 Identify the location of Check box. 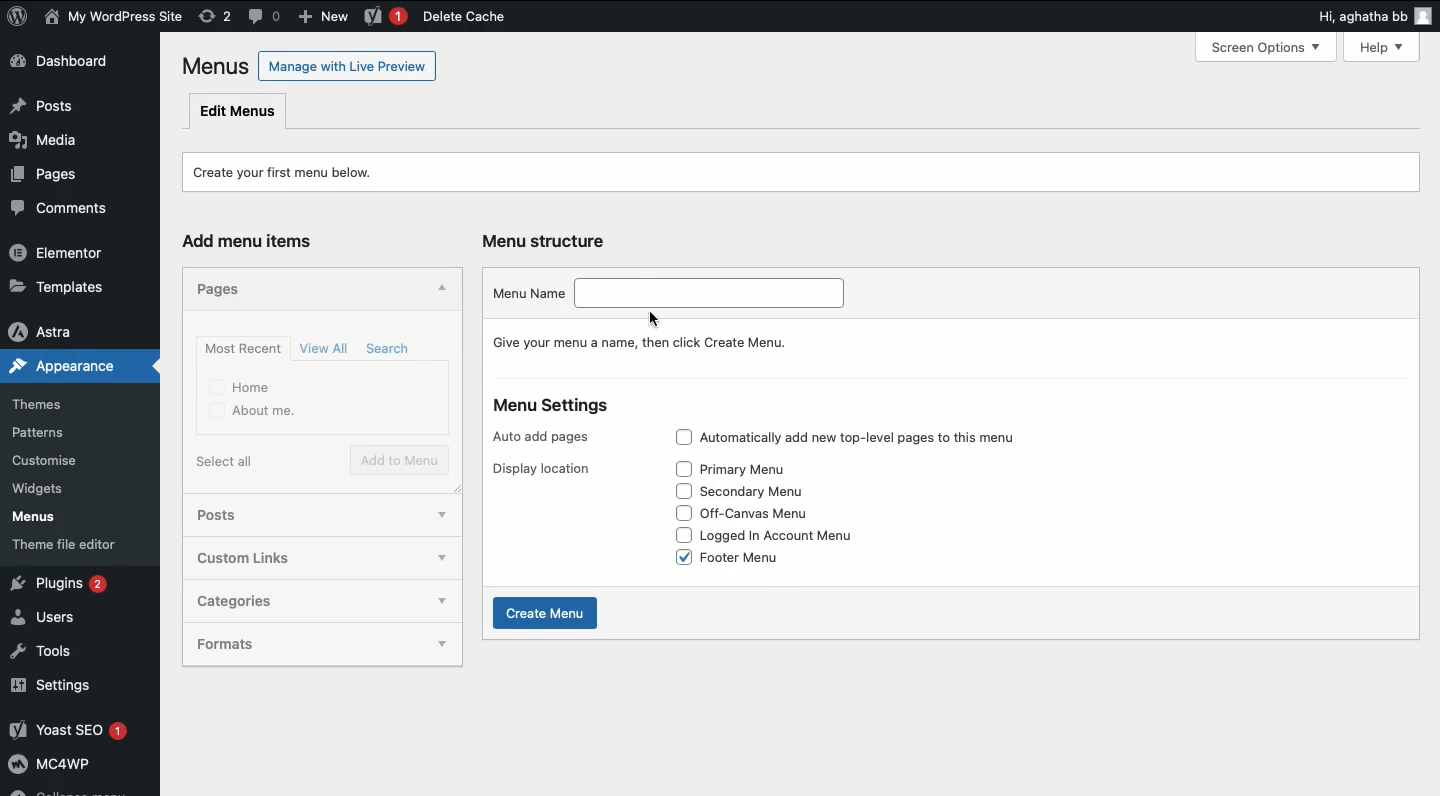
(683, 513).